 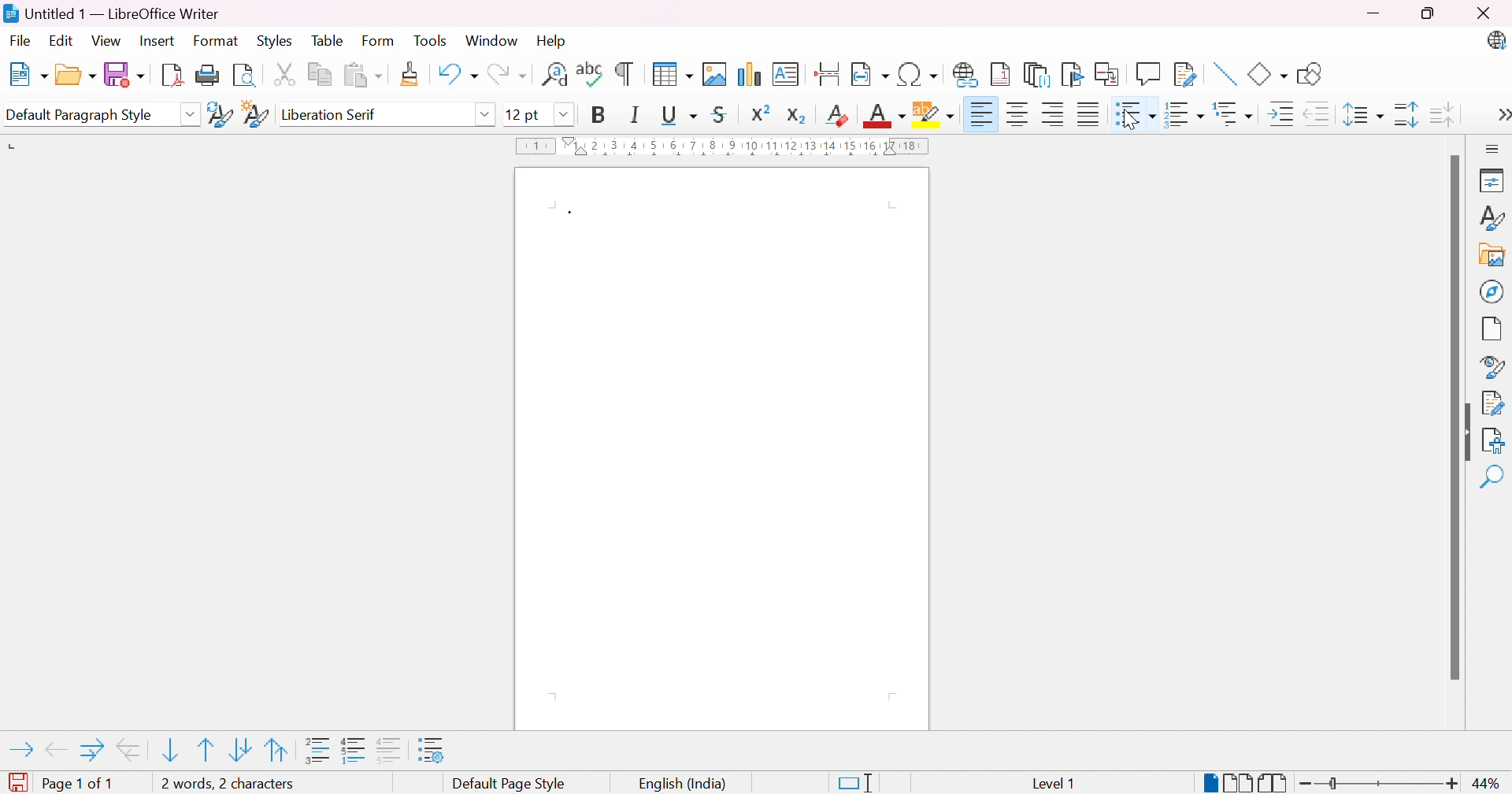 I want to click on Subscript, so click(x=797, y=117).